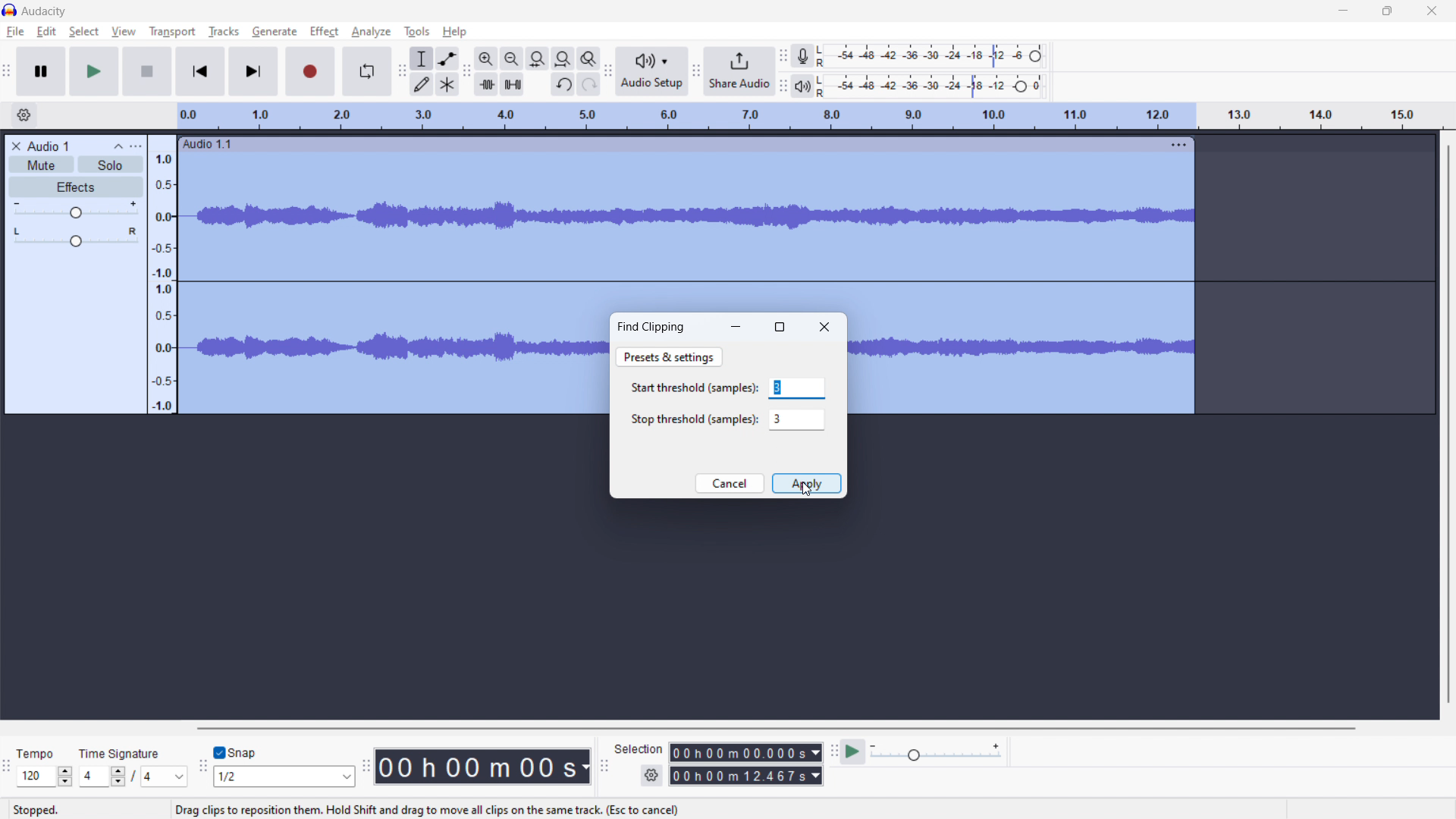  Describe the element at coordinates (447, 83) in the screenshot. I see `multi tool` at that location.